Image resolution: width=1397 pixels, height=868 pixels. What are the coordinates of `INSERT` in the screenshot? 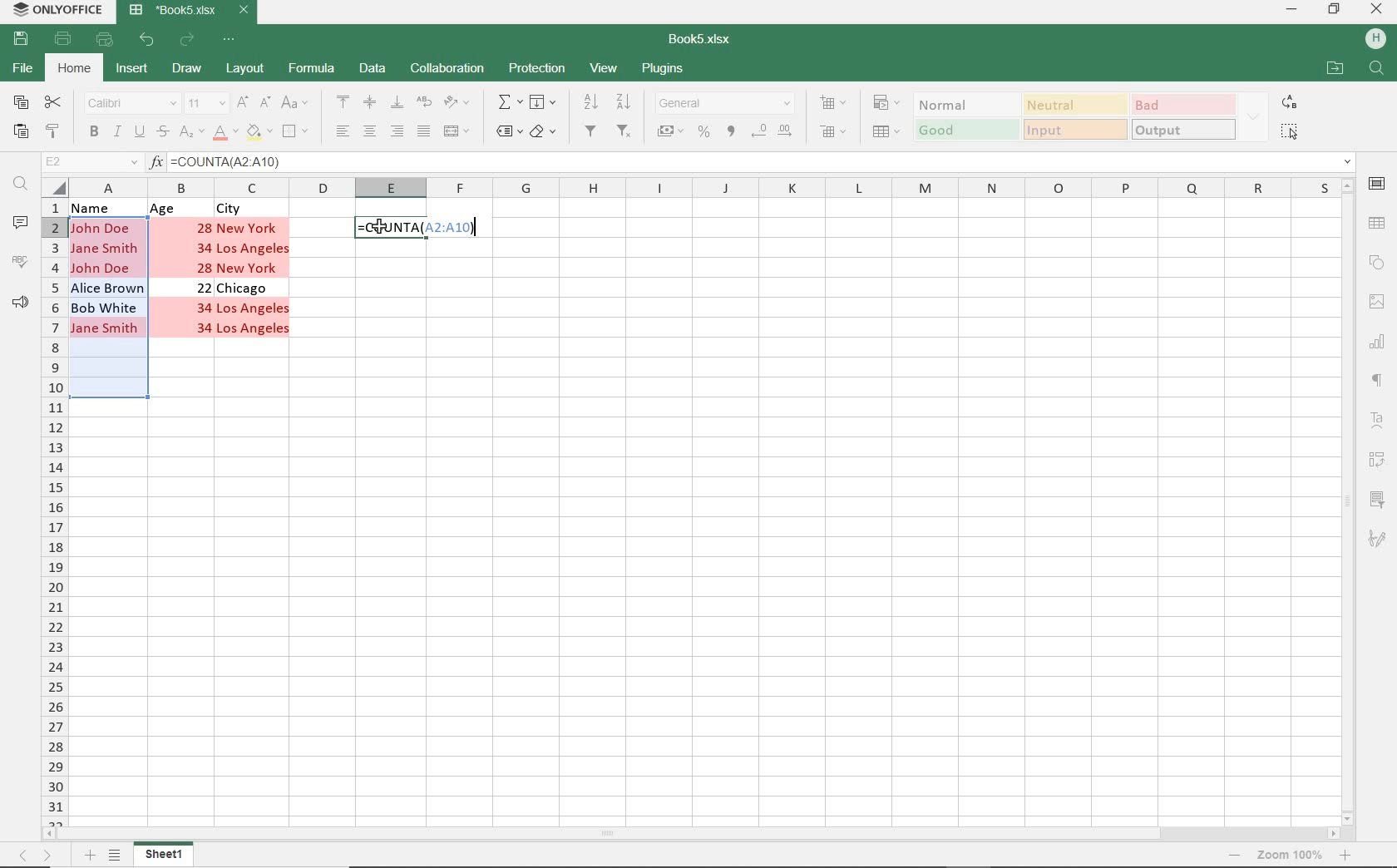 It's located at (132, 71).